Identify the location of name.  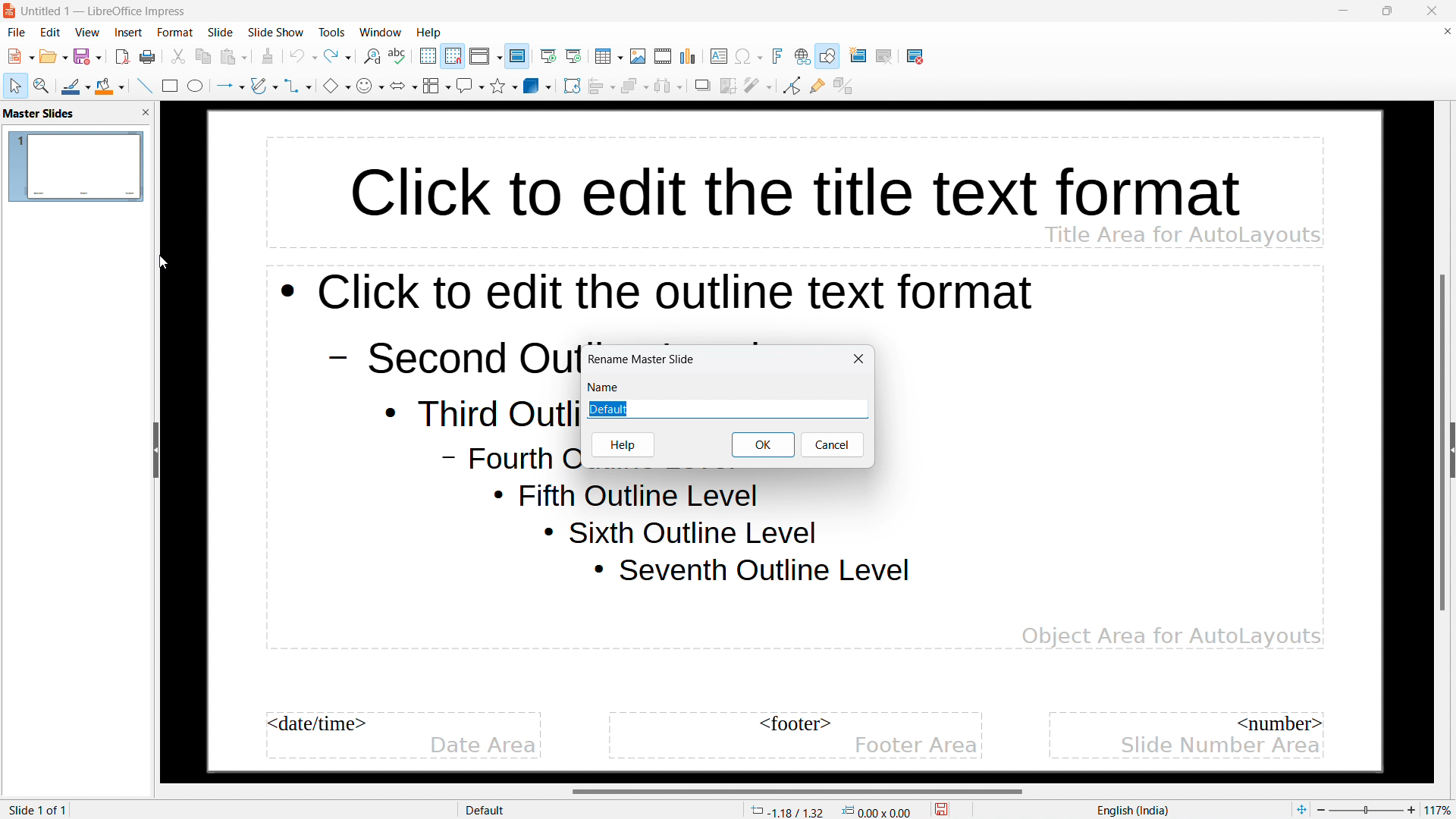
(607, 387).